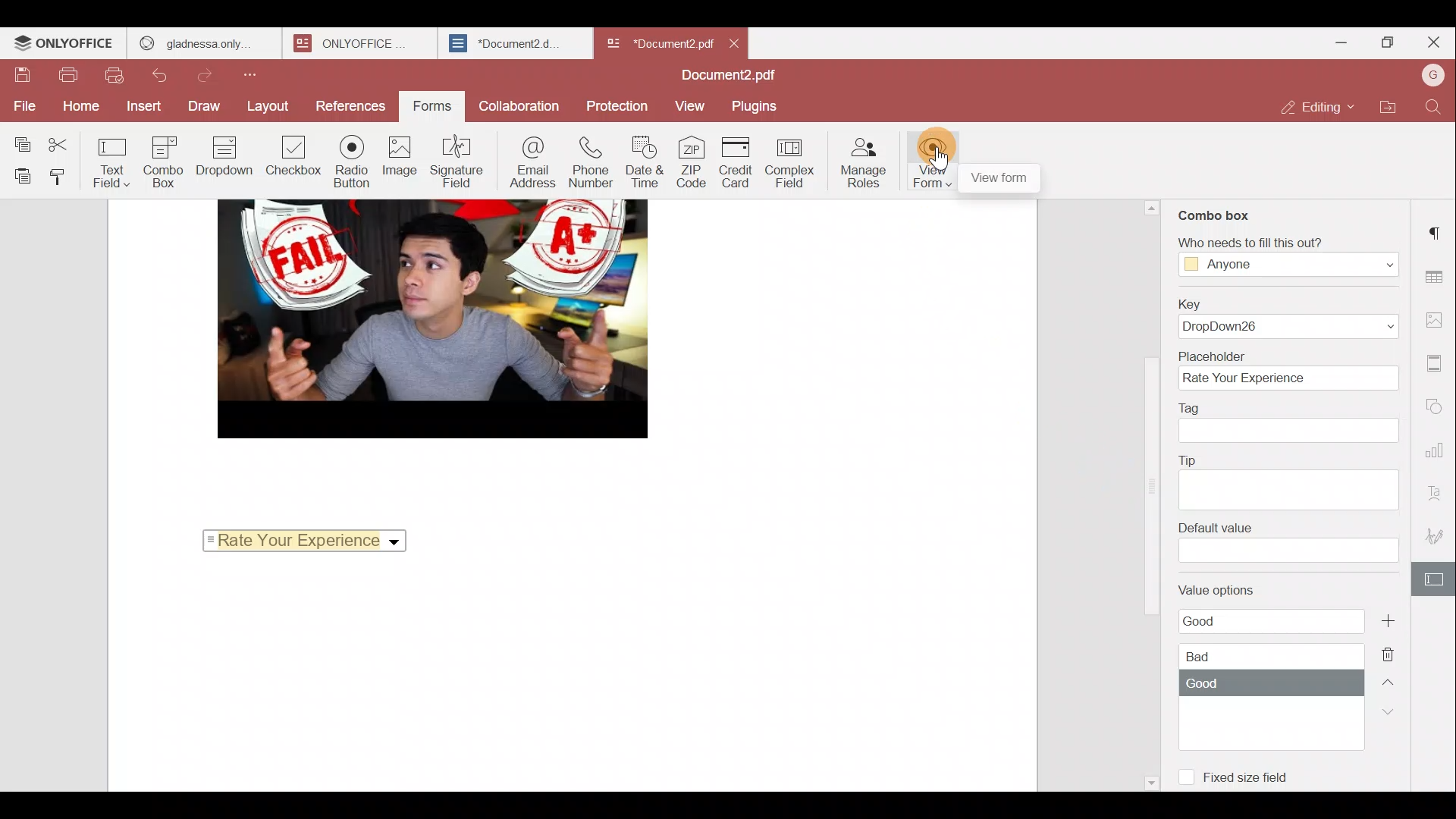  Describe the element at coordinates (728, 75) in the screenshot. I see `Document2.pdf` at that location.